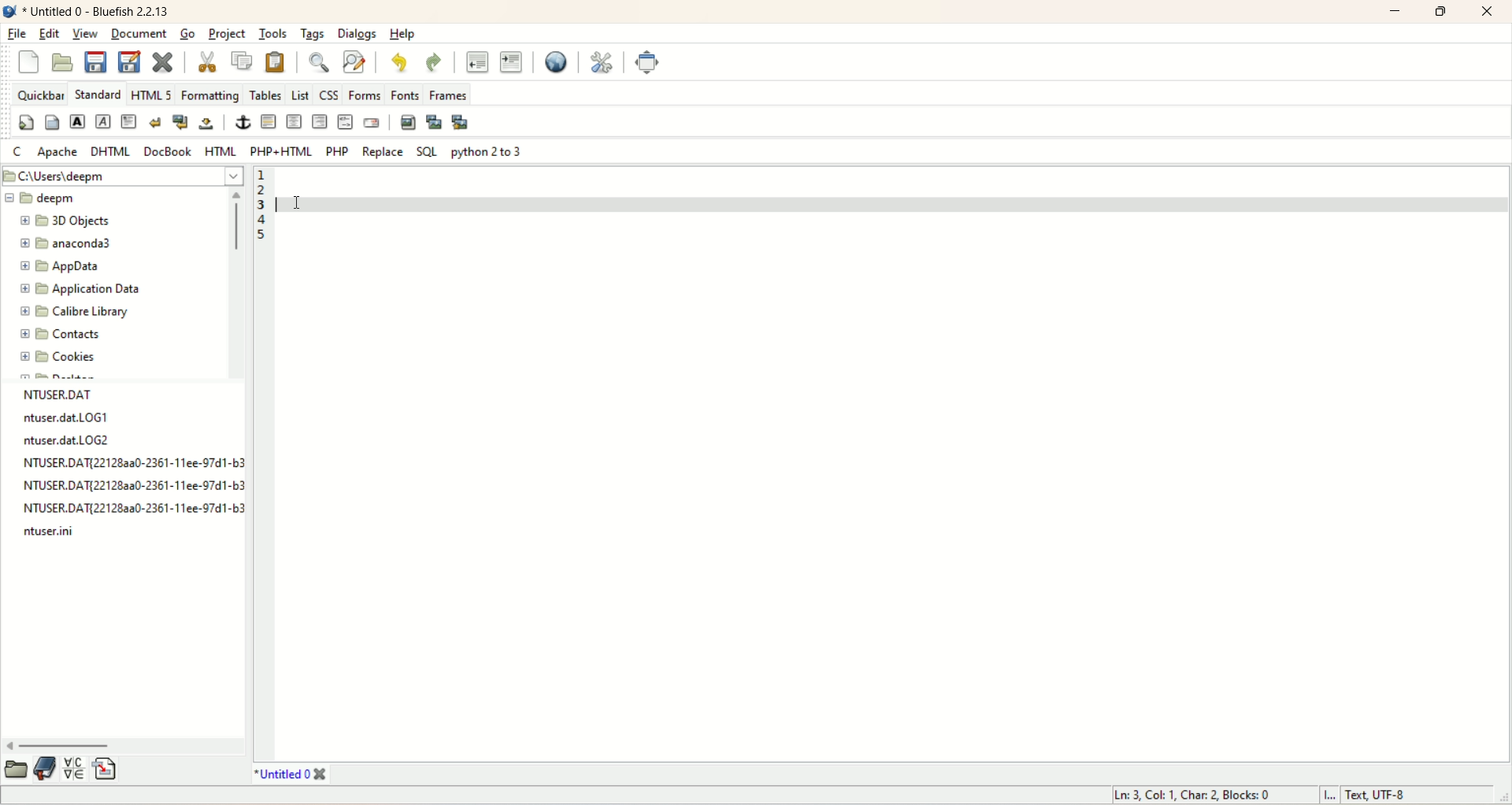 This screenshot has height=805, width=1512. I want to click on indent, so click(513, 62).